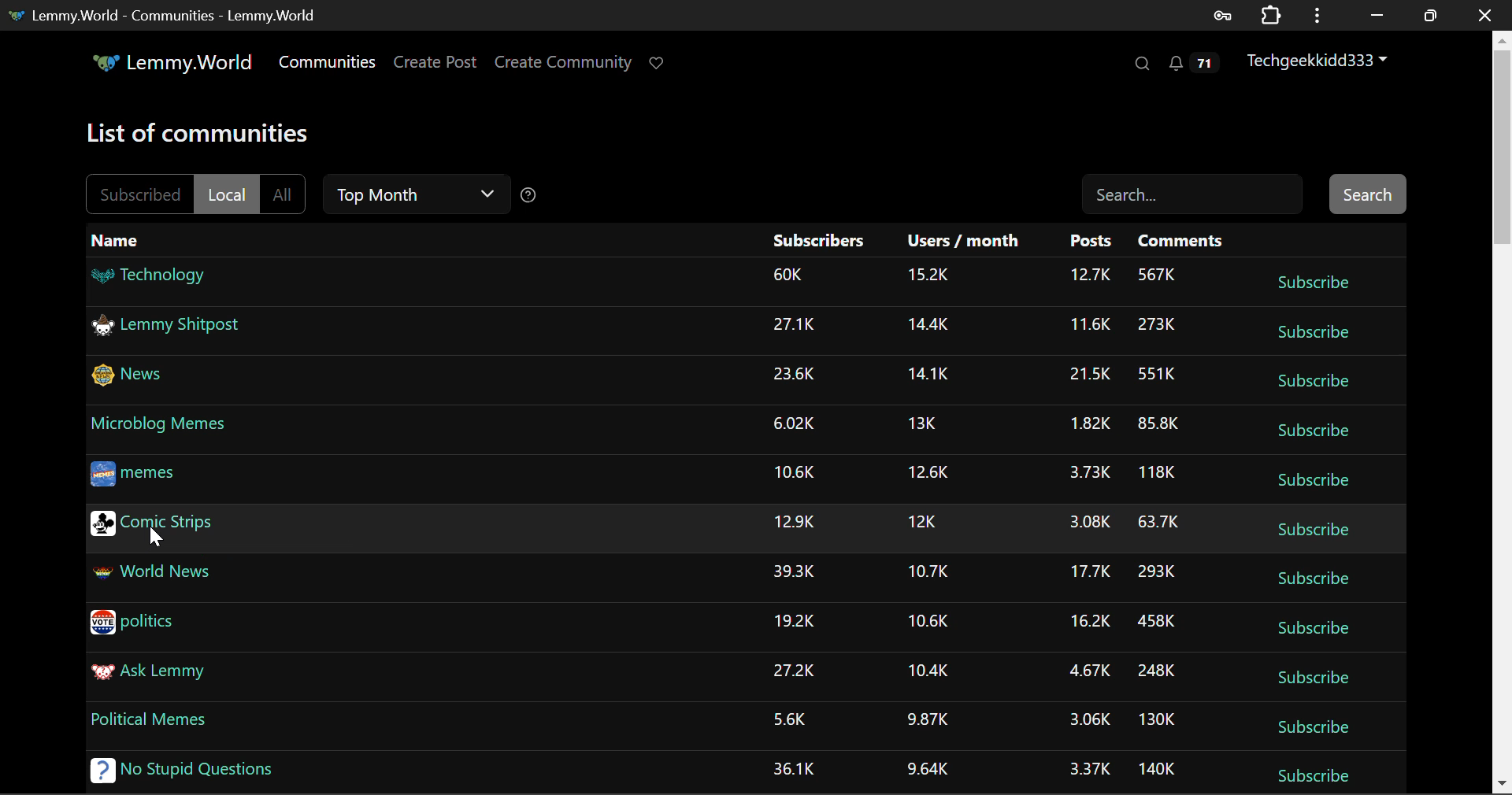 The image size is (1512, 795). Describe the element at coordinates (1313, 384) in the screenshot. I see `Subscribe` at that location.